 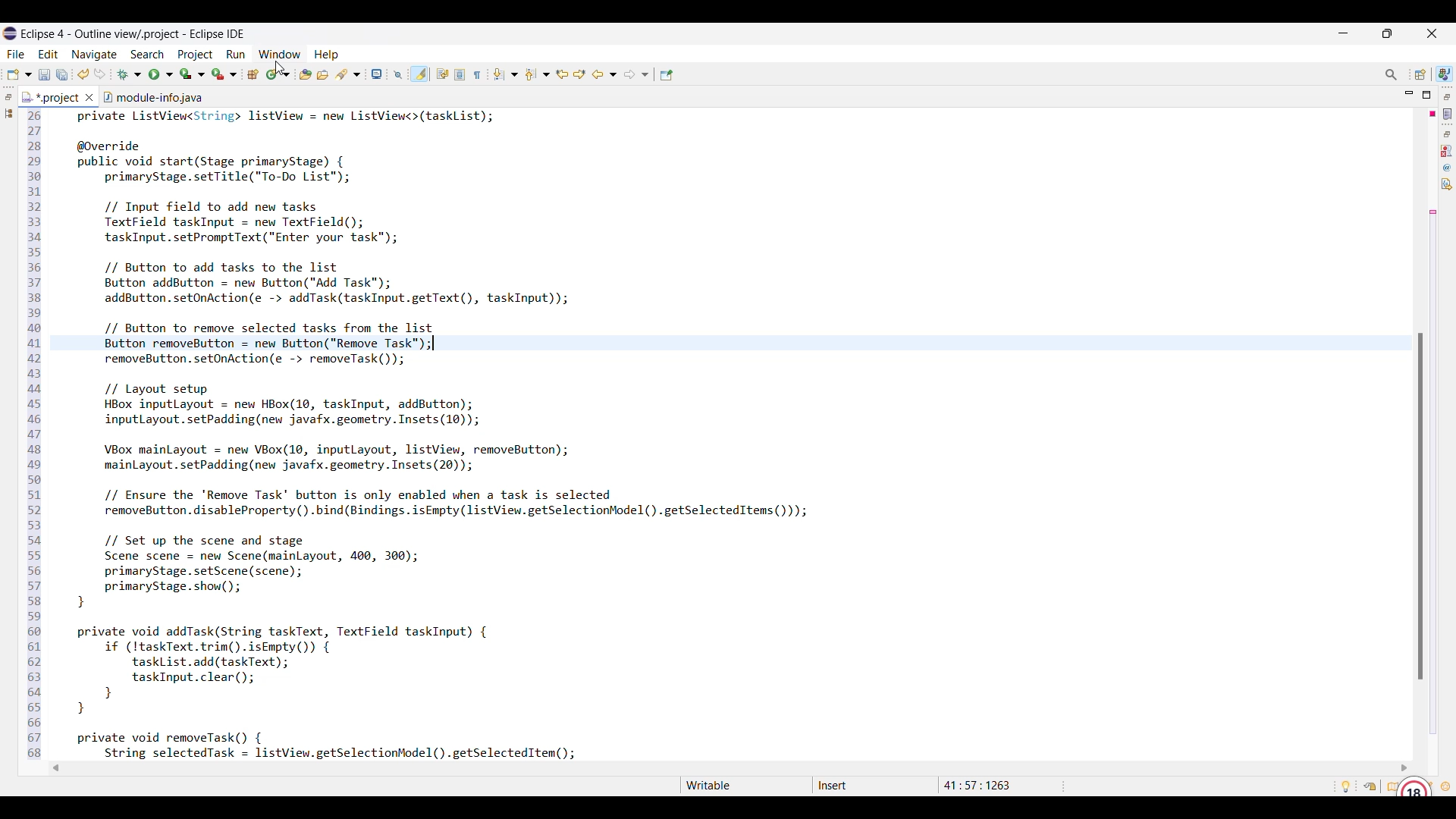 I want to click on Save all, so click(x=62, y=75).